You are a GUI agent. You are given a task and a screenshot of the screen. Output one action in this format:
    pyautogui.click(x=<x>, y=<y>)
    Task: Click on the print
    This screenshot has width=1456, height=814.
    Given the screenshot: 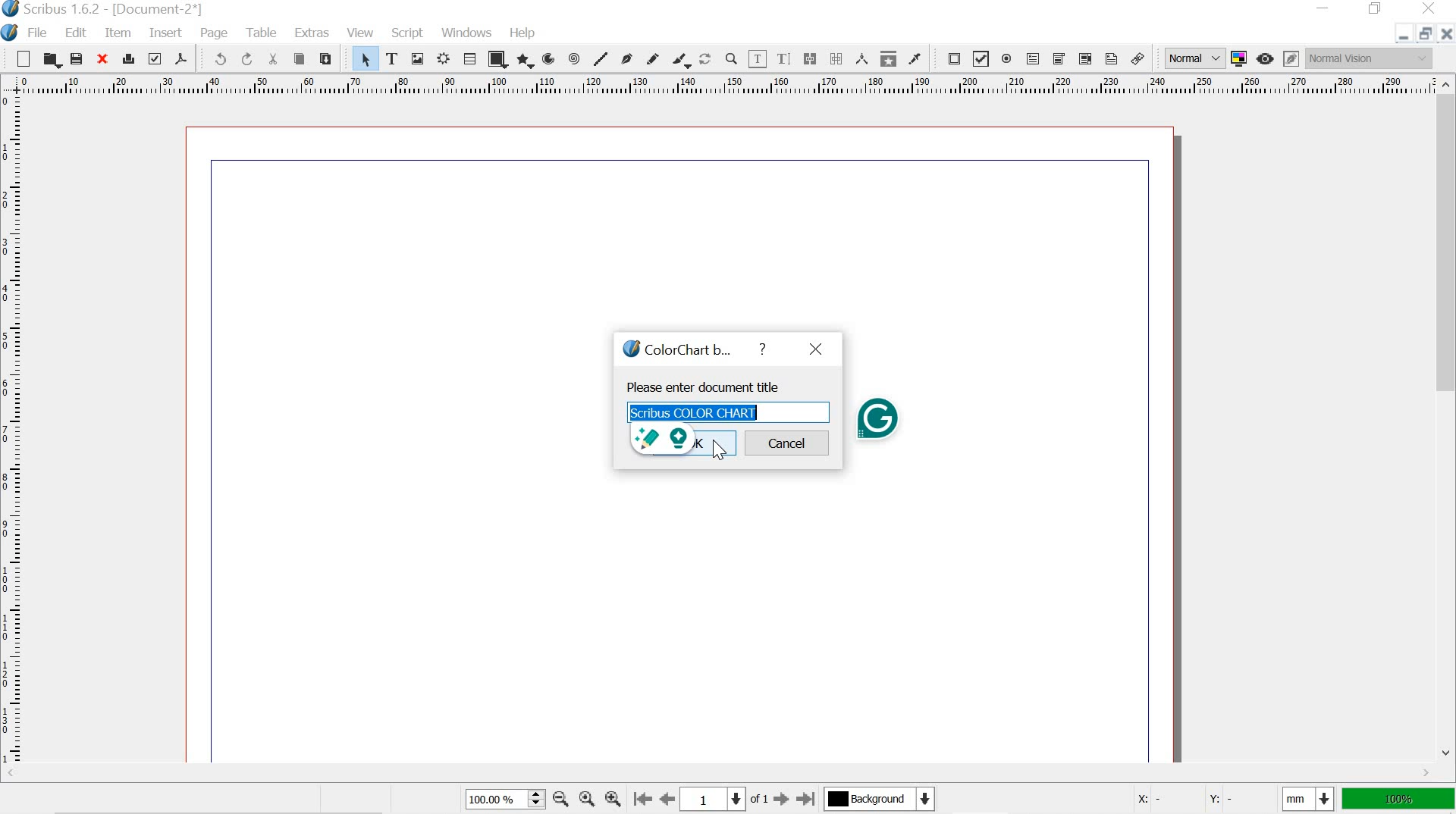 What is the action you would take?
    pyautogui.click(x=127, y=59)
    